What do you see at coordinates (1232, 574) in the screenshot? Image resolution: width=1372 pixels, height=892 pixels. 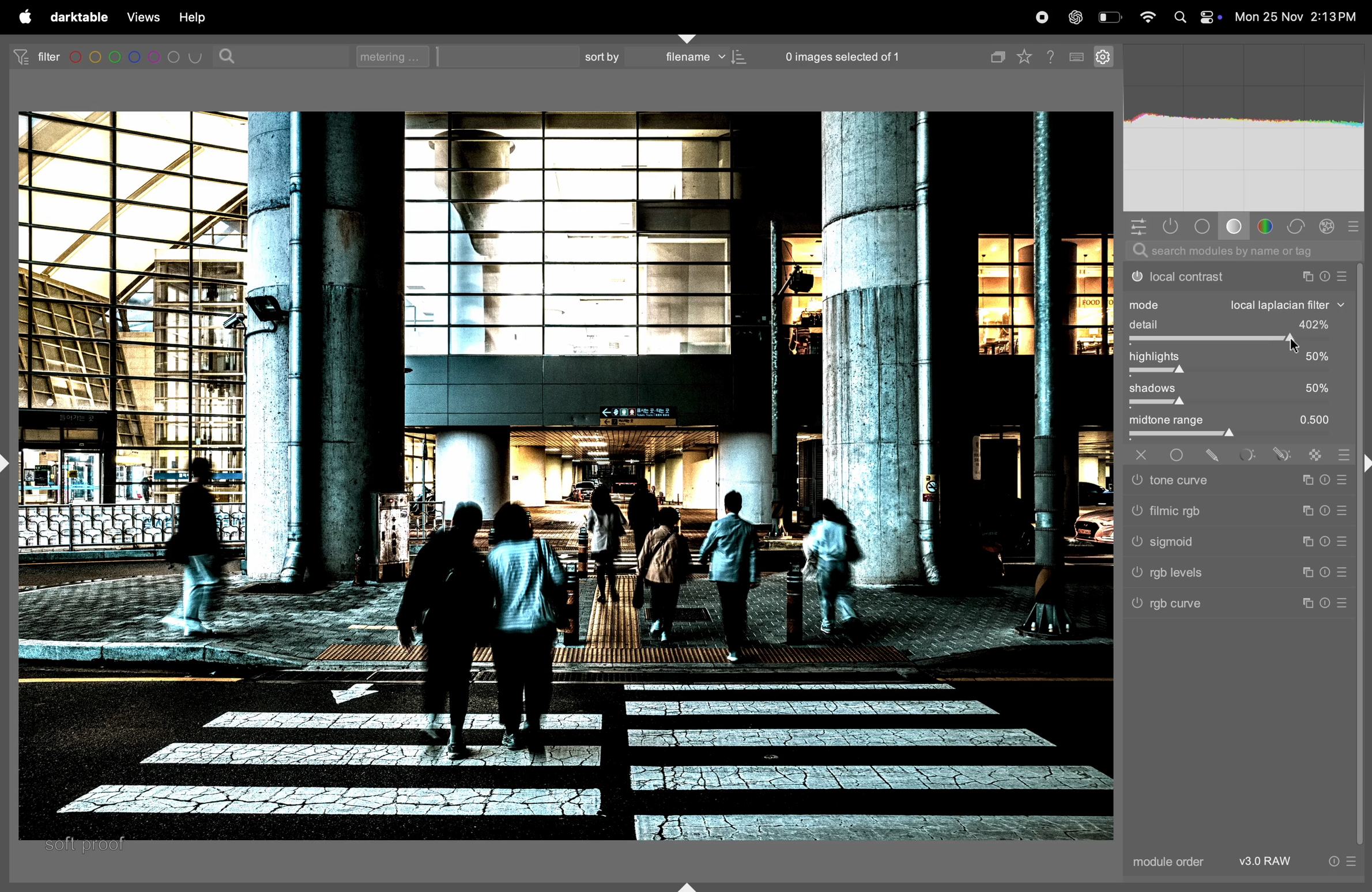 I see `rgb levels` at bounding box center [1232, 574].